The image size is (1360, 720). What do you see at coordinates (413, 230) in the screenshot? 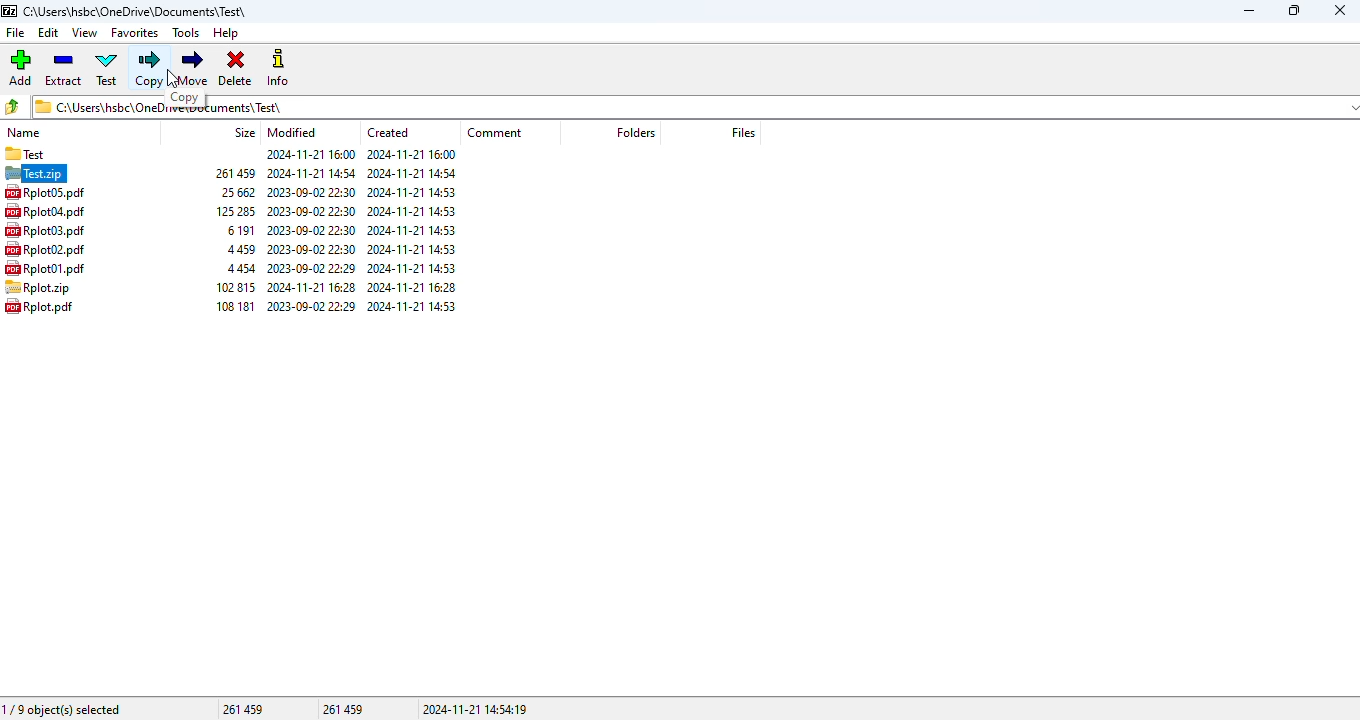
I see `created date & time` at bounding box center [413, 230].